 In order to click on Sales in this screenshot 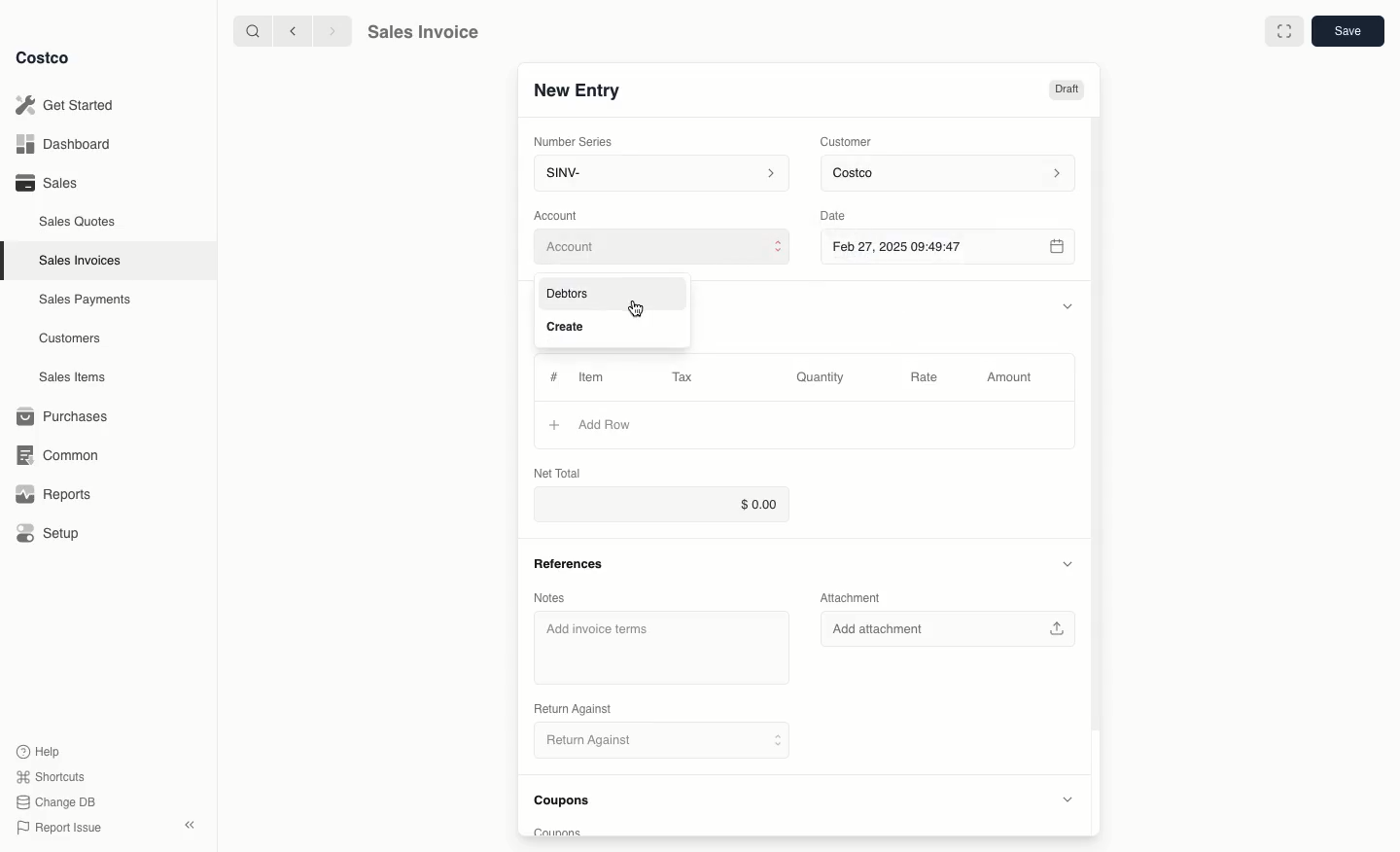, I will do `click(45, 182)`.